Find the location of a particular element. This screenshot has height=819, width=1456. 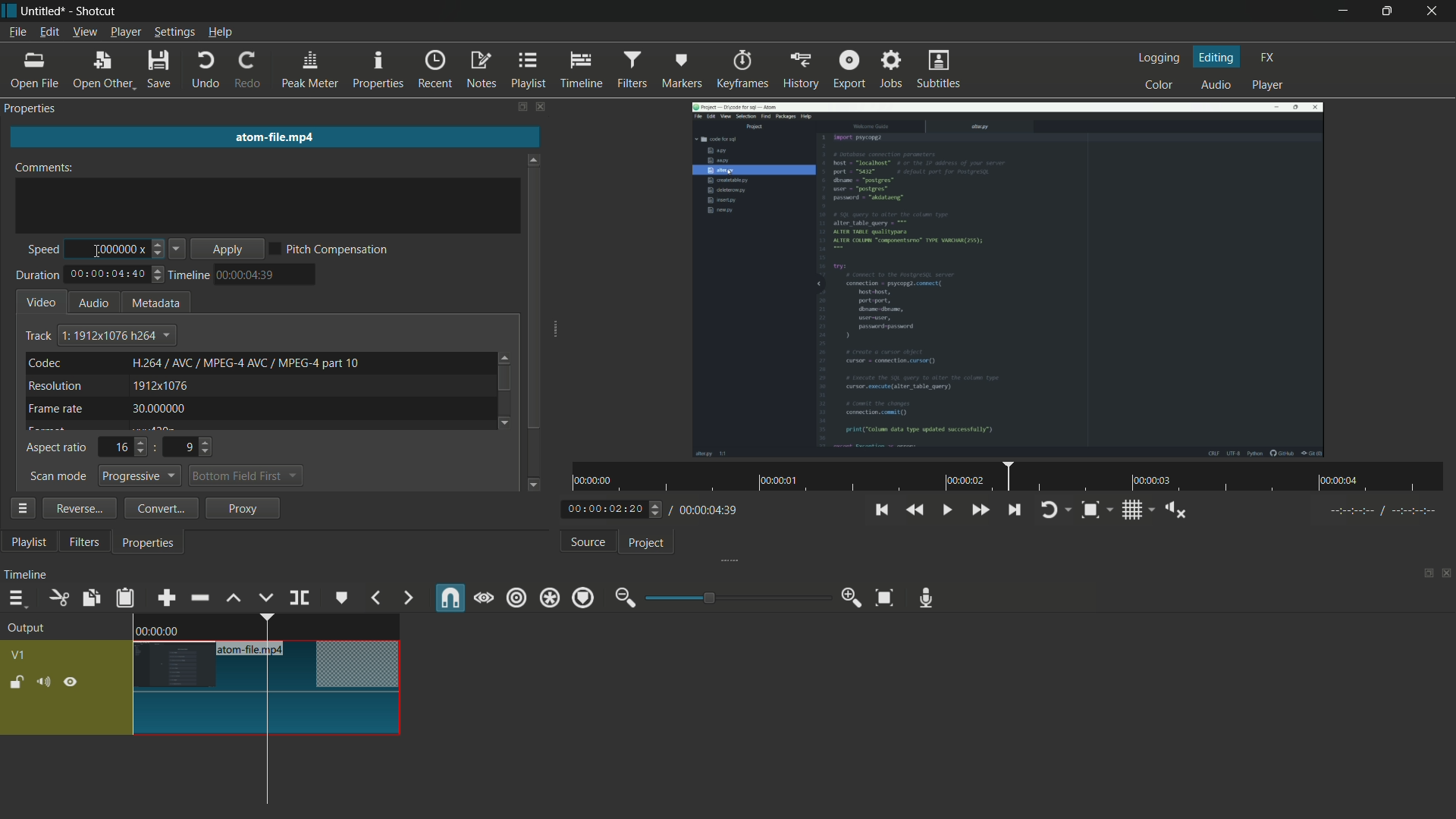

filters is located at coordinates (632, 69).